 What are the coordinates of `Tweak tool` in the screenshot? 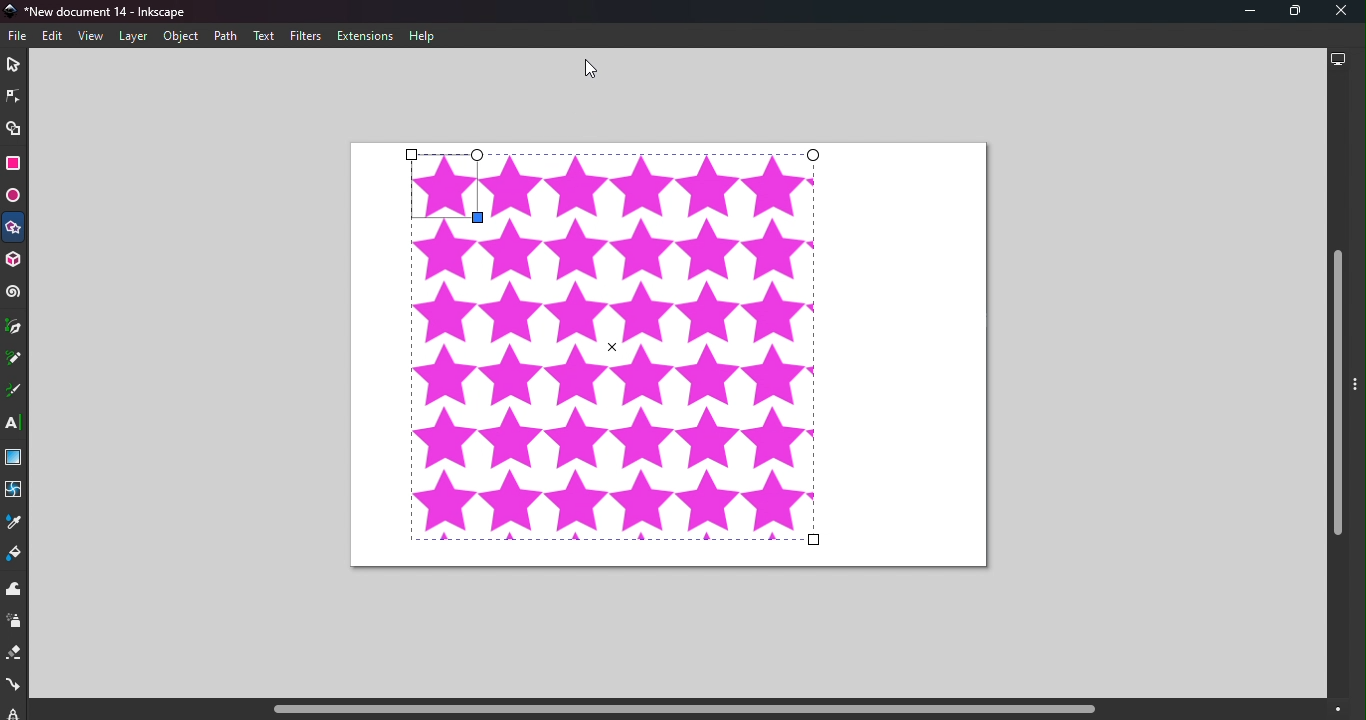 It's located at (17, 590).